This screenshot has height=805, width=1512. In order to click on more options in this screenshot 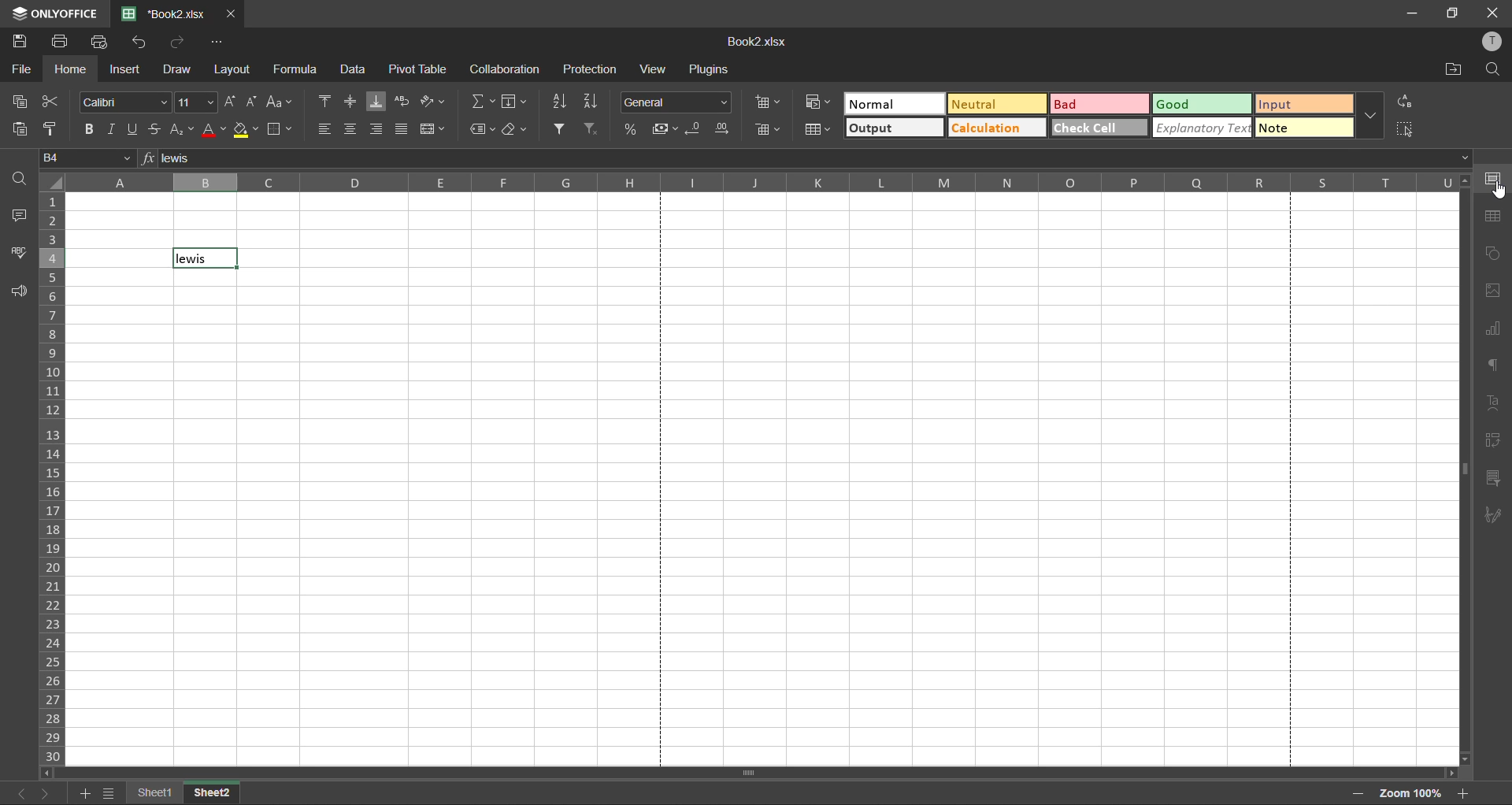, I will do `click(1369, 114)`.